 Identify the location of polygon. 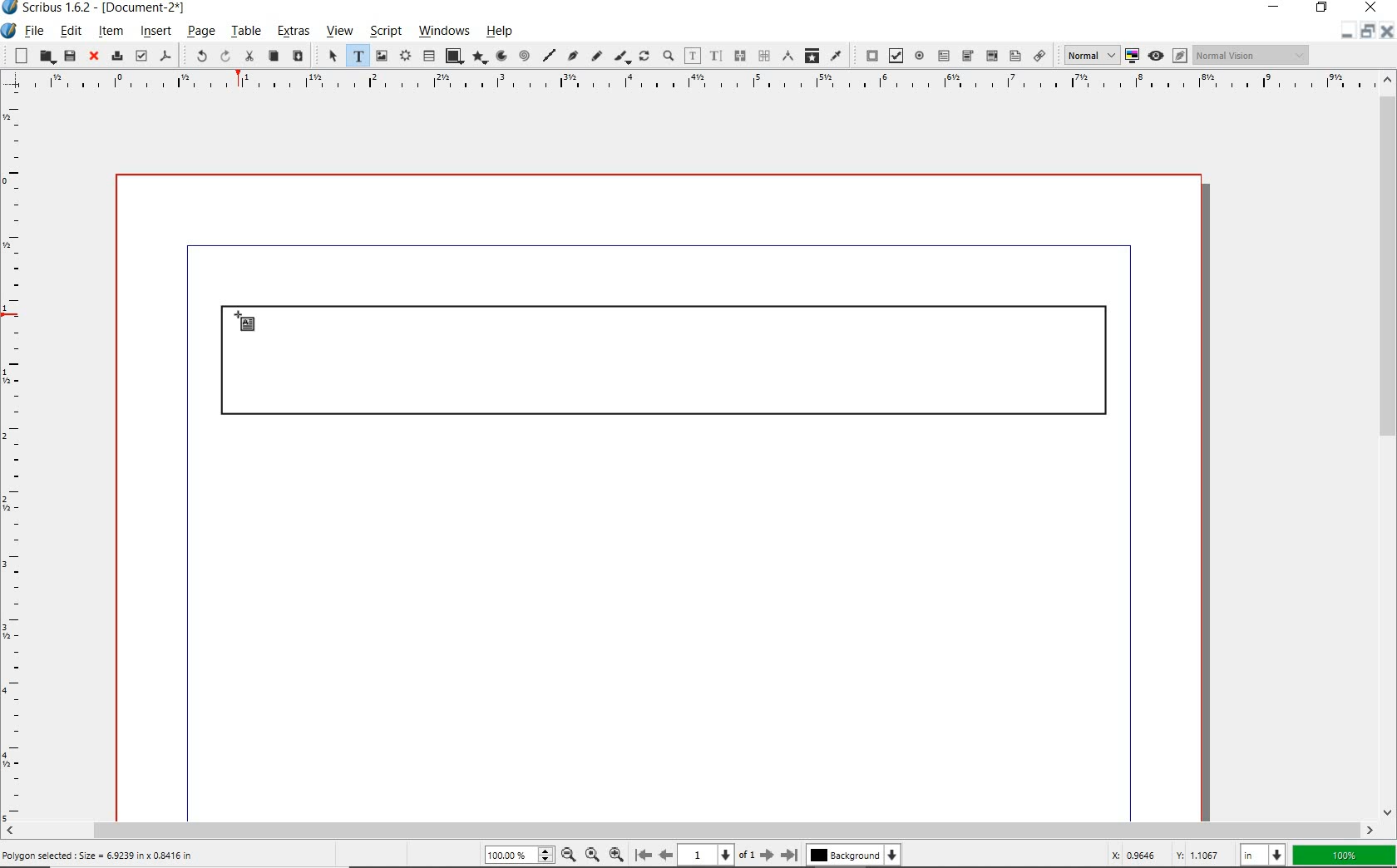
(481, 58).